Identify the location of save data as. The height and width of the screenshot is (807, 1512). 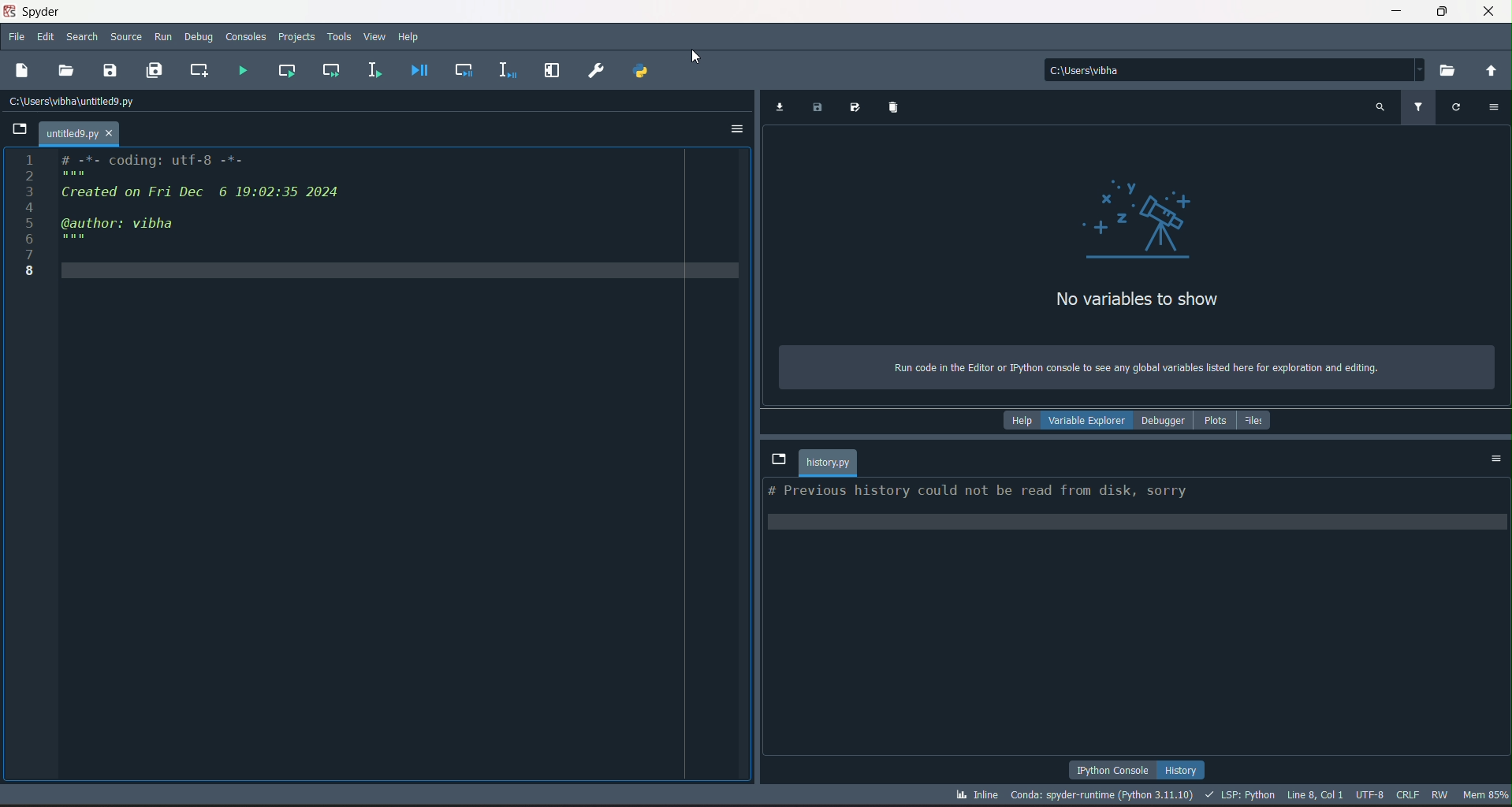
(855, 107).